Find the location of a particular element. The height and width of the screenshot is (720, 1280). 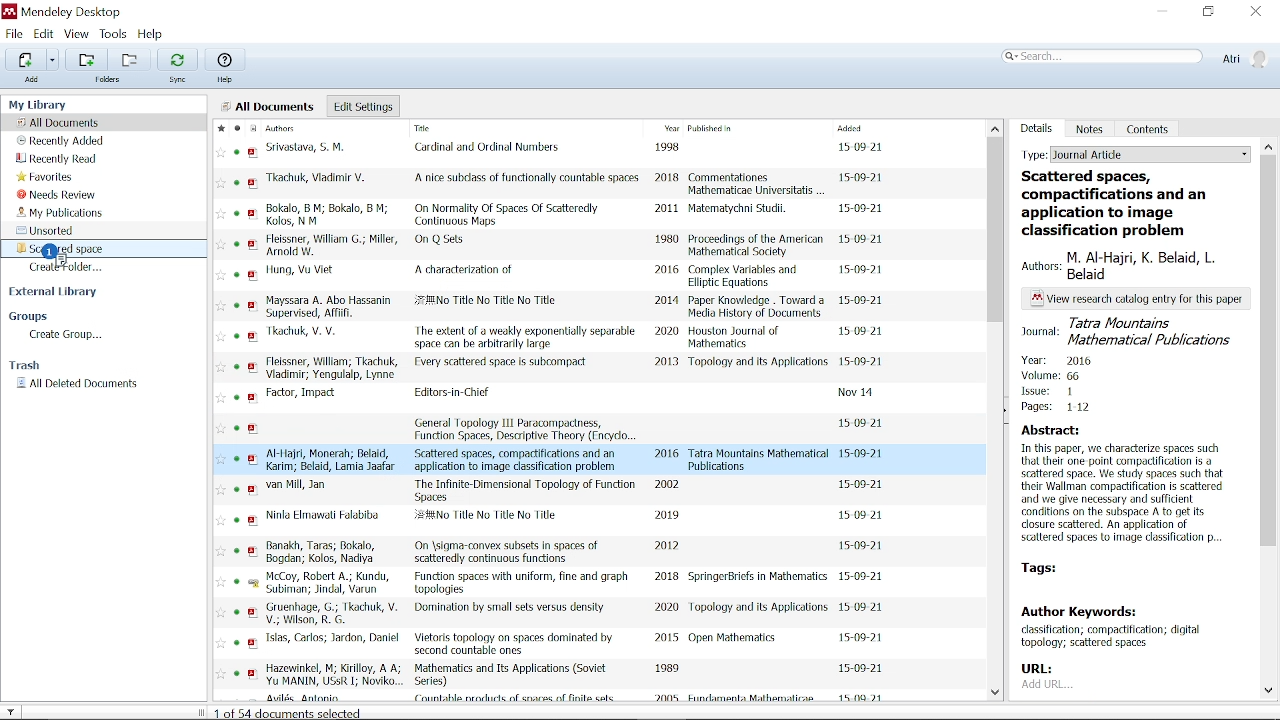

Needs review is located at coordinates (57, 195).